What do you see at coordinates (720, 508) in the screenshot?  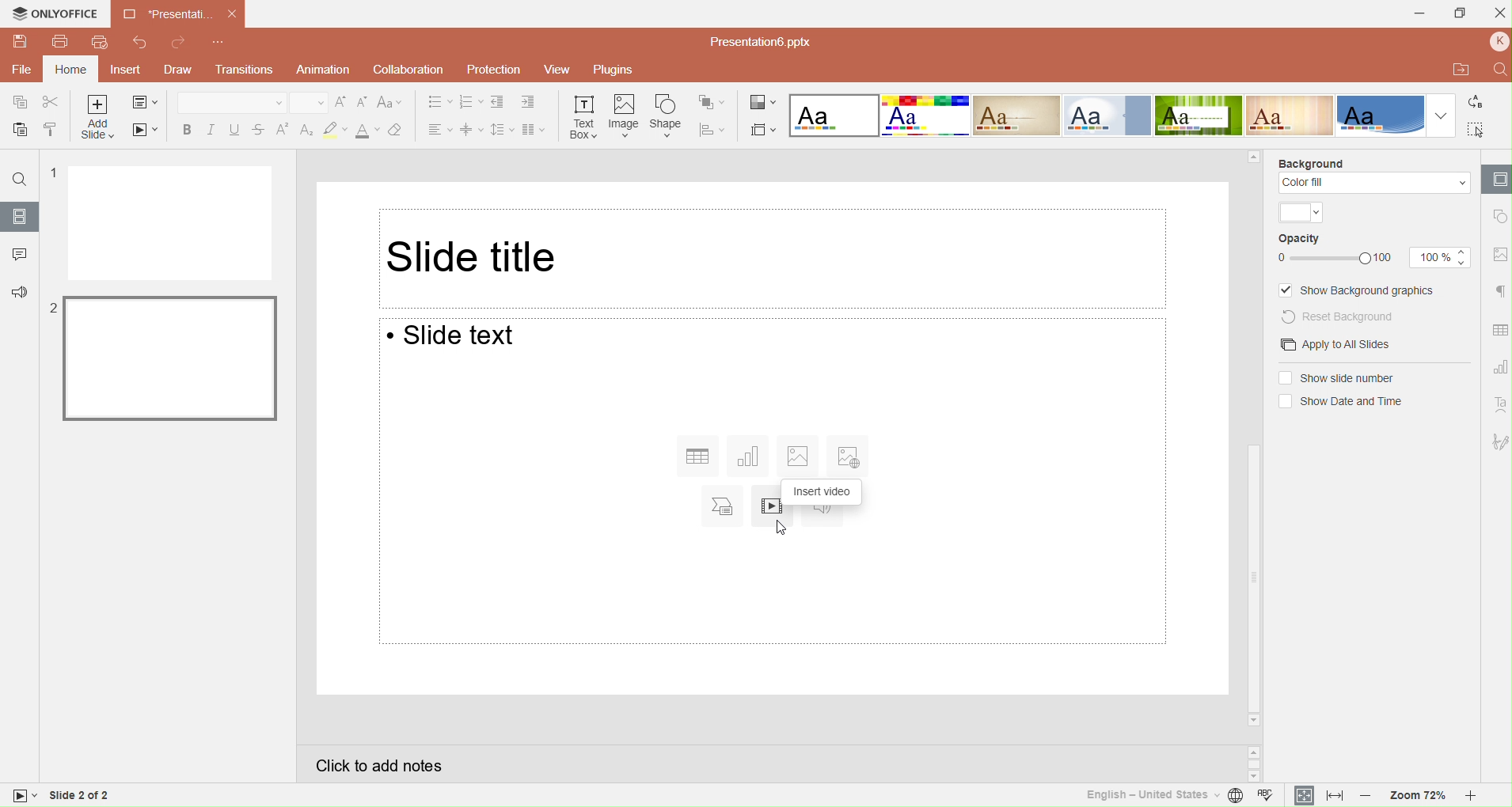 I see `Insert SmartArt` at bounding box center [720, 508].